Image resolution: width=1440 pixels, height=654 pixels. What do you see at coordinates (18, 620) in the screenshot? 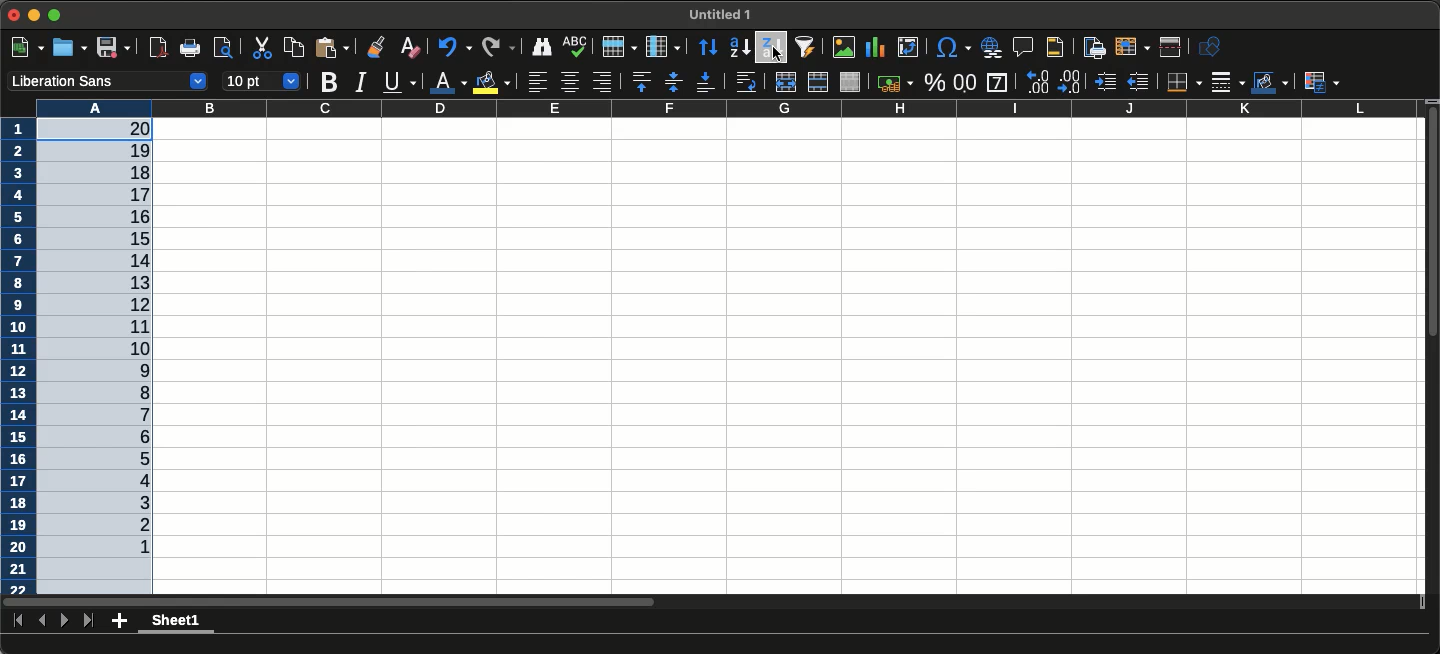
I see `First sheet` at bounding box center [18, 620].